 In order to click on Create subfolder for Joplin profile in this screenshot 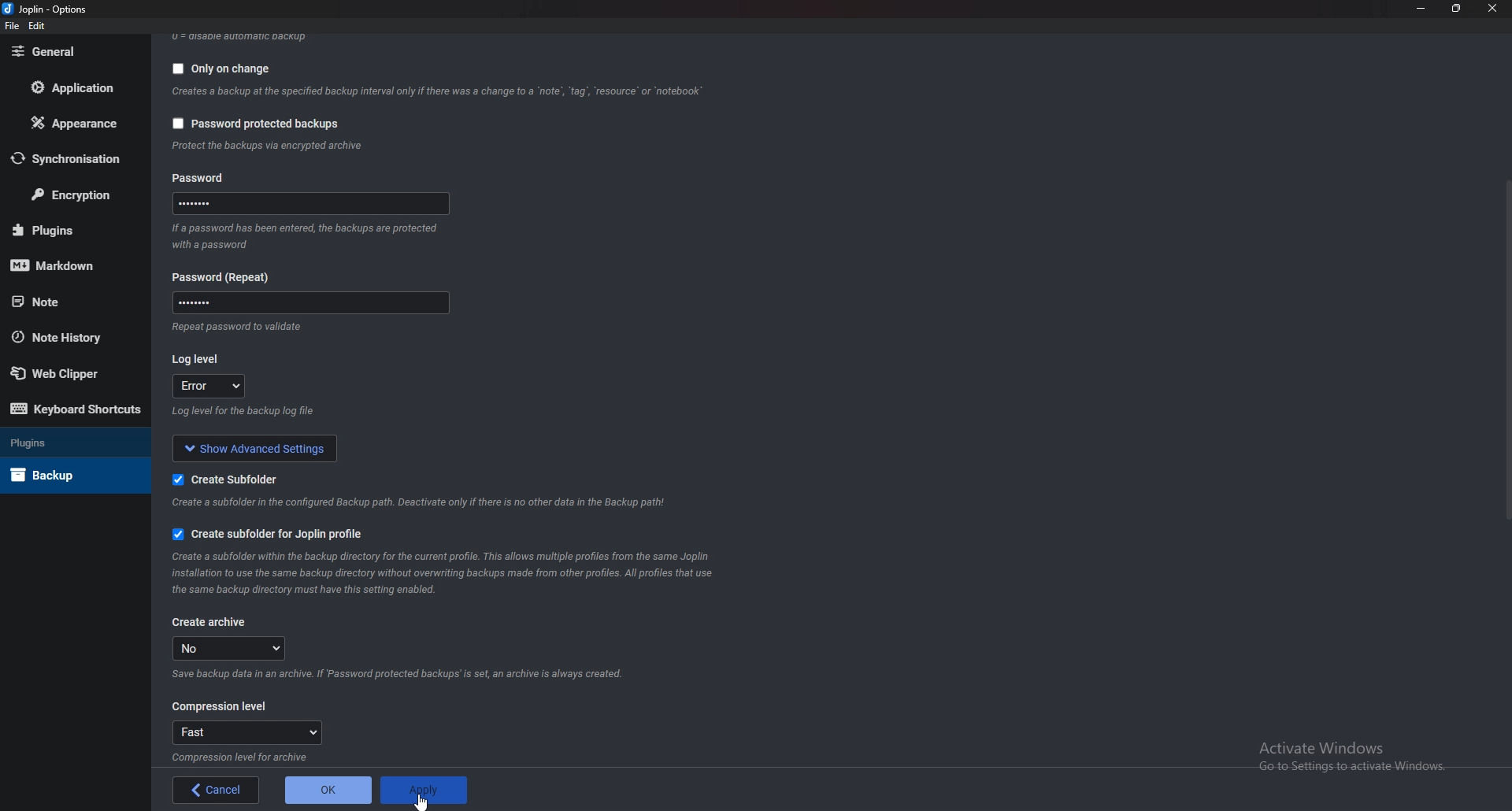, I will do `click(269, 536)`.